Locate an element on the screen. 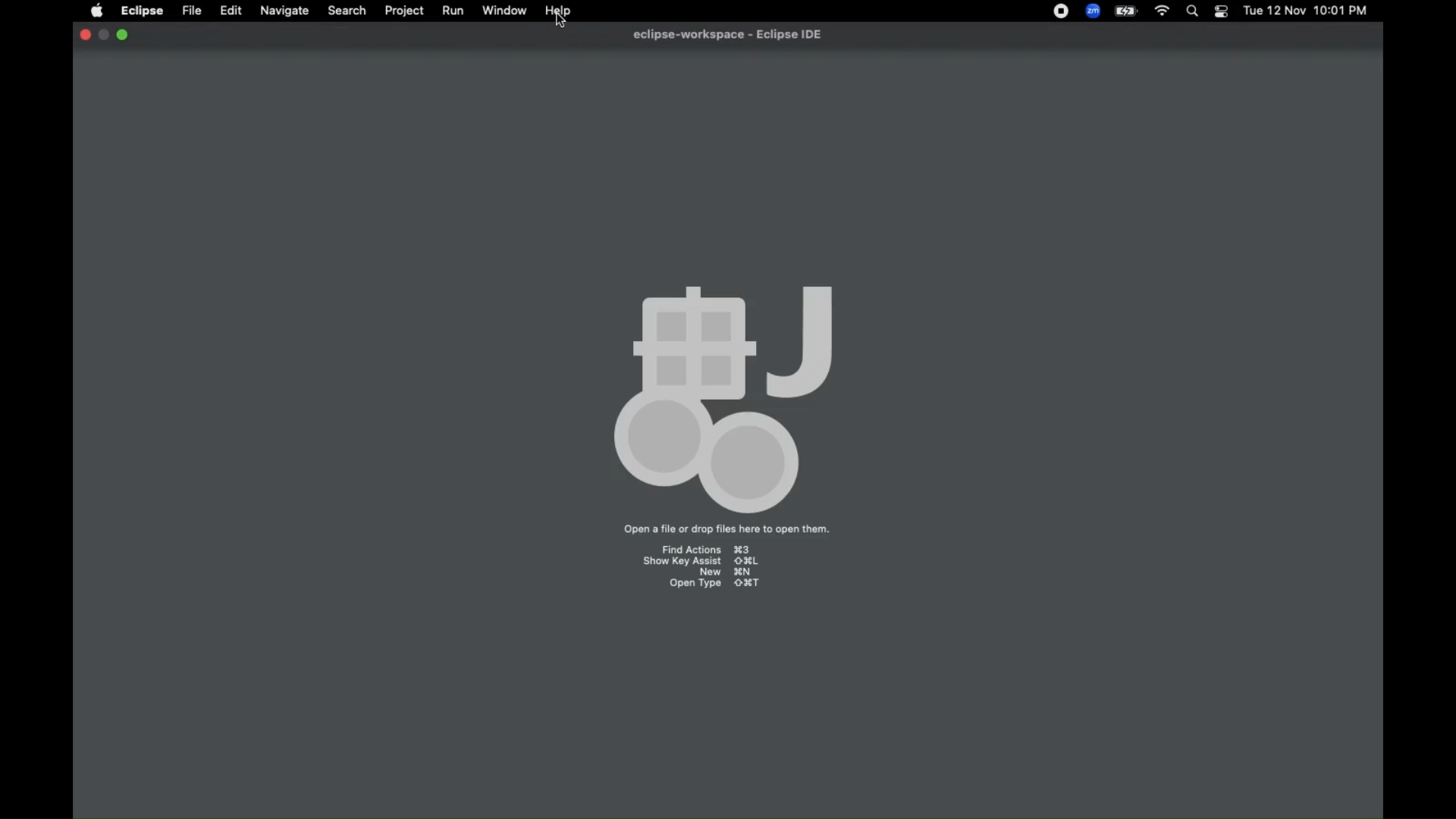 The width and height of the screenshot is (1456, 819). minimize  is located at coordinates (104, 35).